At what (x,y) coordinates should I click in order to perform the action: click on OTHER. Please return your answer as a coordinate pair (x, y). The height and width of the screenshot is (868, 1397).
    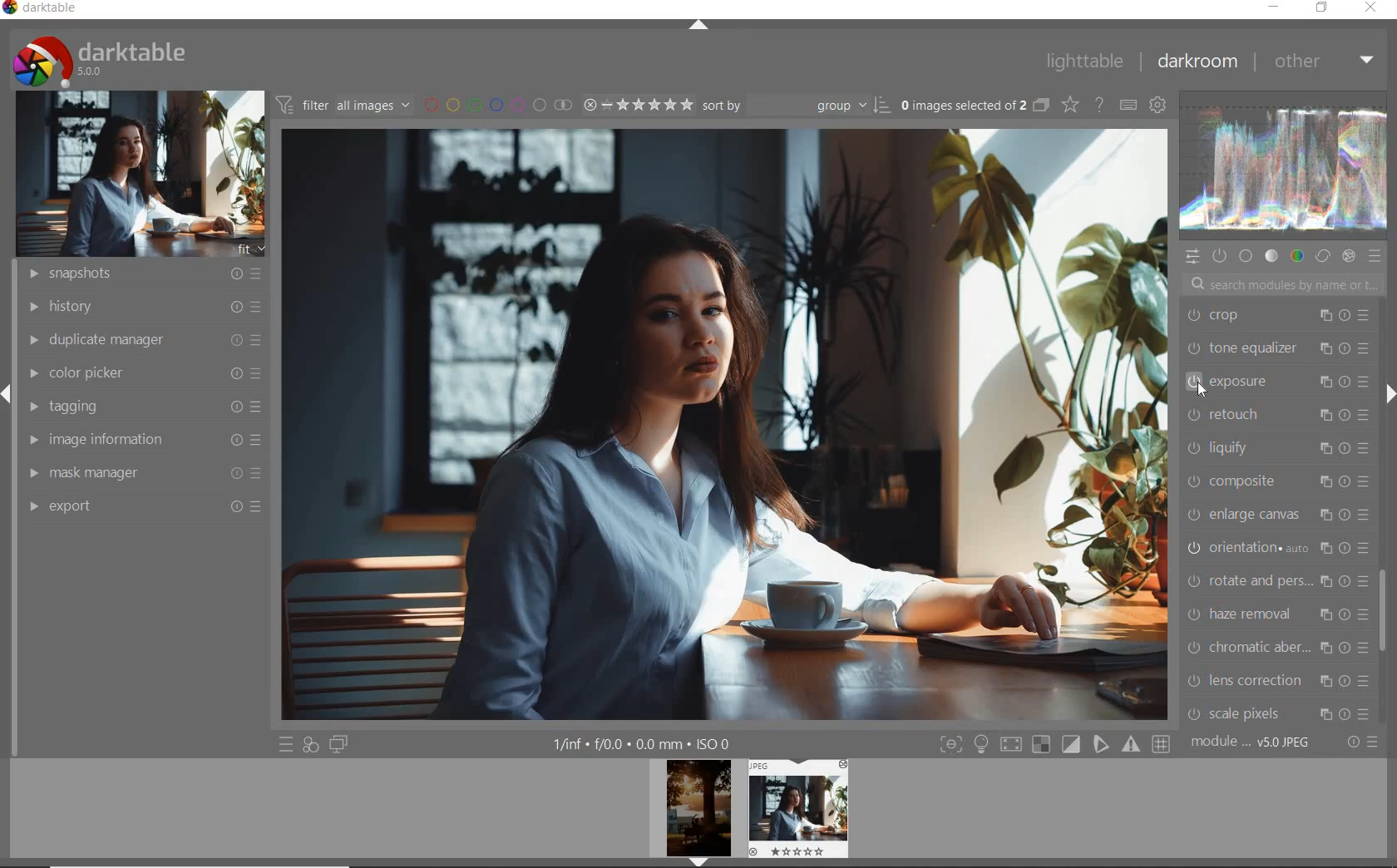
    Looking at the image, I should click on (1325, 64).